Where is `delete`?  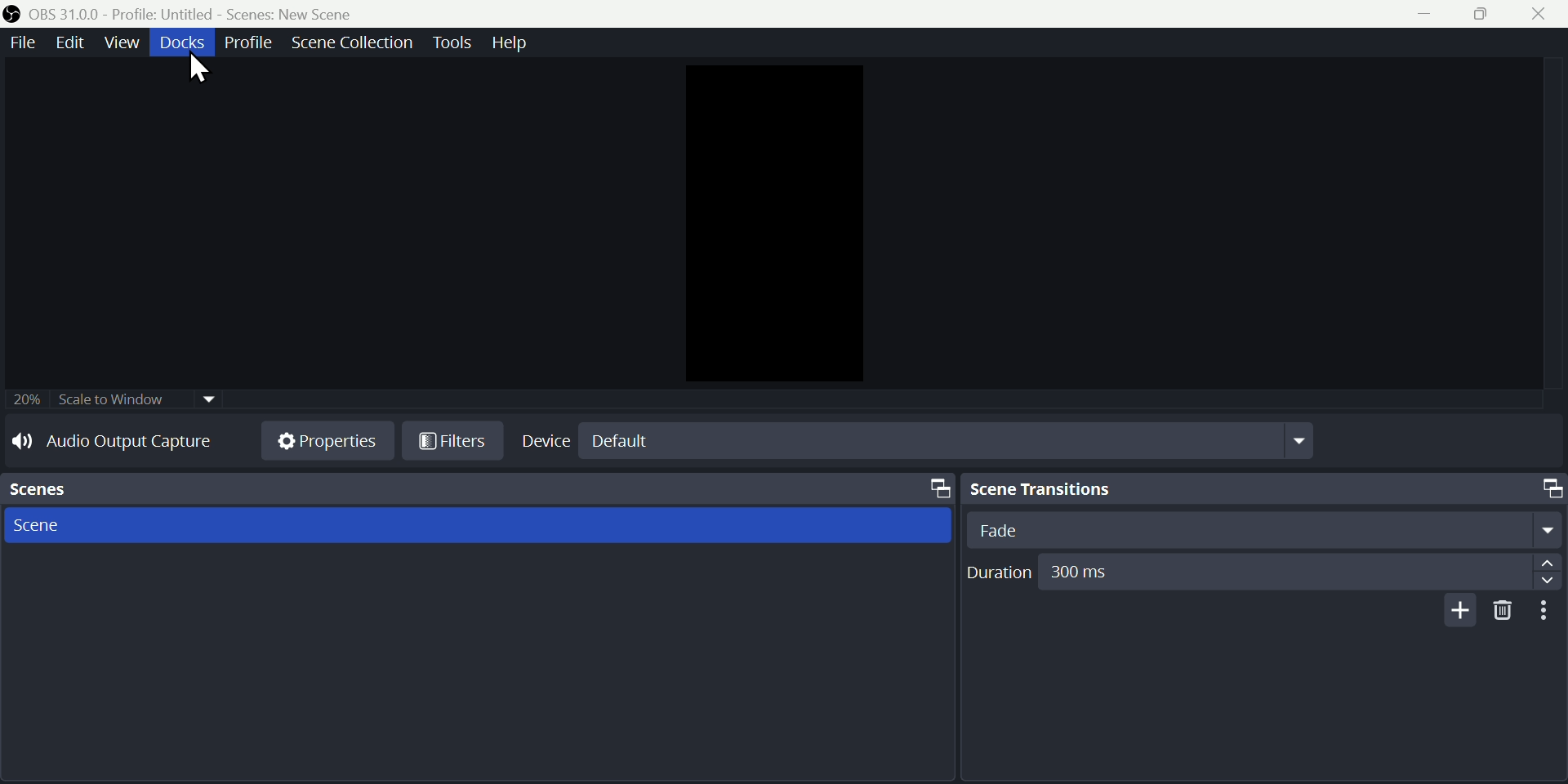
delete is located at coordinates (1505, 612).